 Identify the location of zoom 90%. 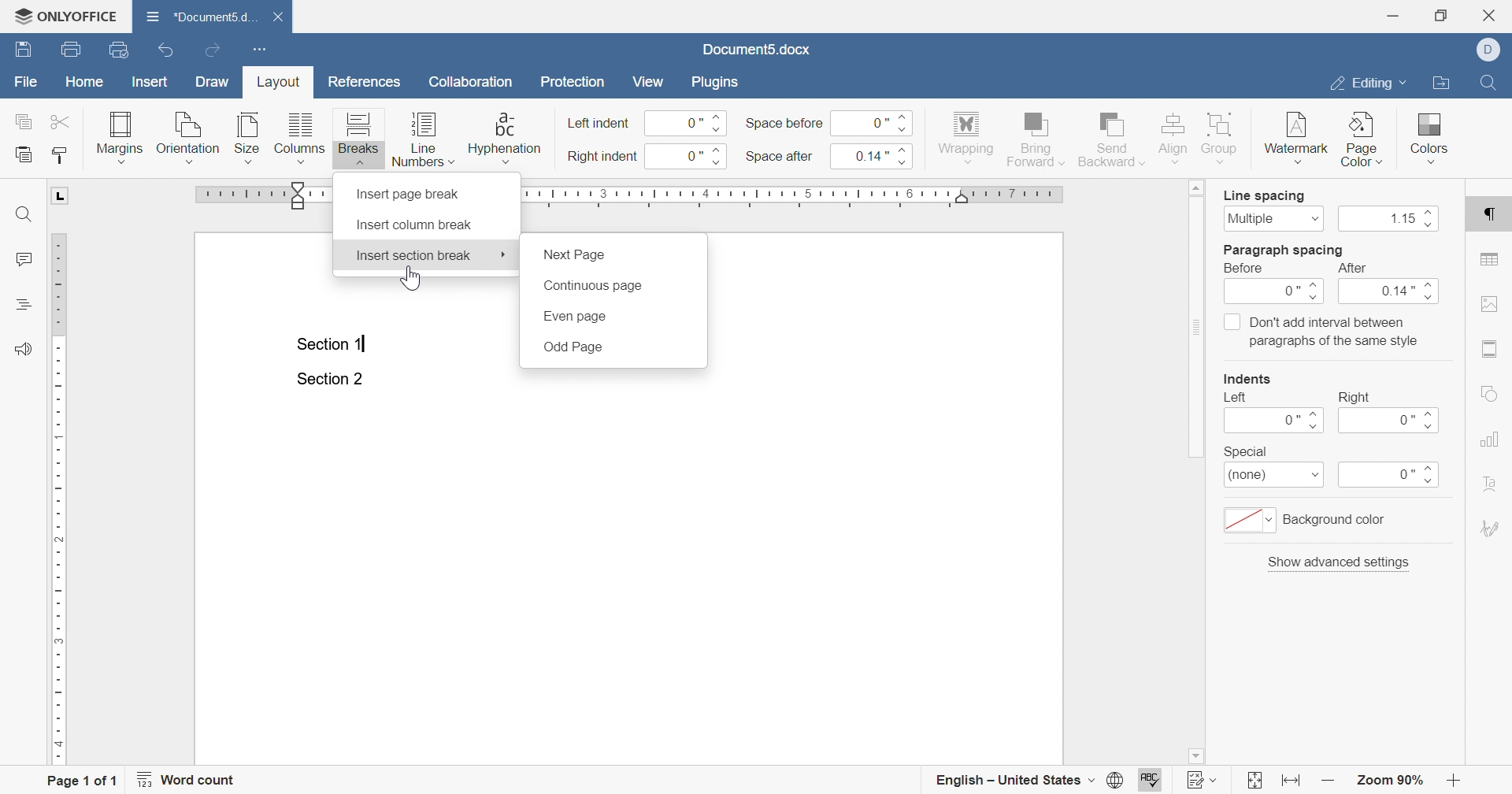
(1388, 780).